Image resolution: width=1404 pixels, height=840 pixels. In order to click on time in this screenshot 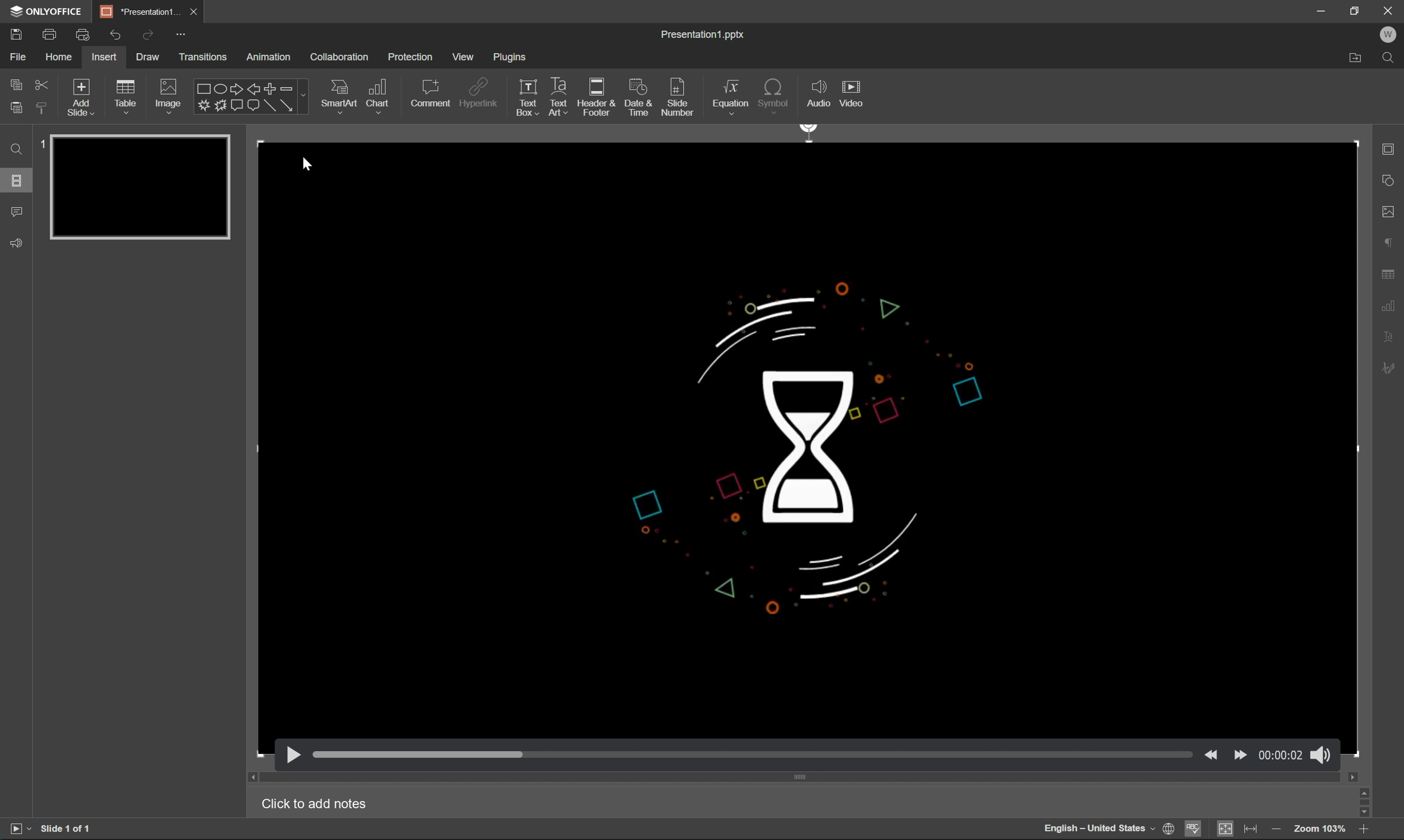, I will do `click(1279, 756)`.